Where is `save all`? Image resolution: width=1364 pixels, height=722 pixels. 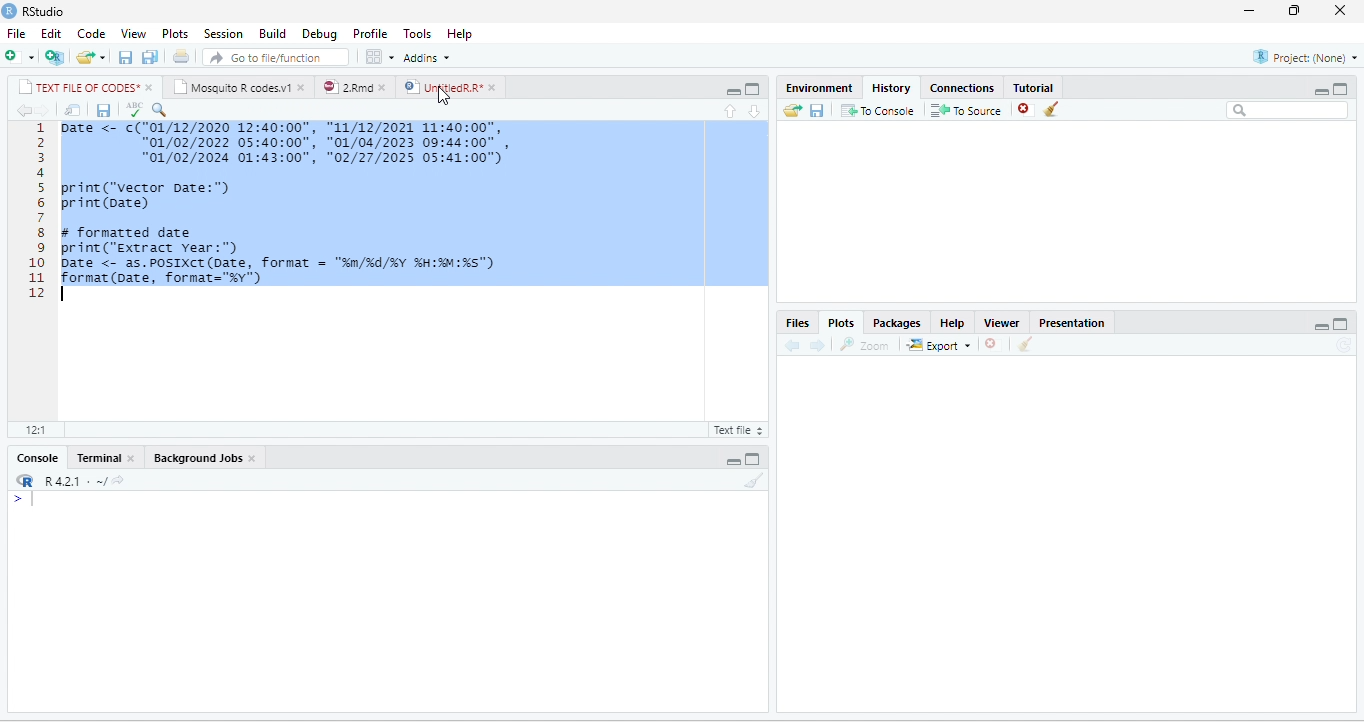 save all is located at coordinates (149, 56).